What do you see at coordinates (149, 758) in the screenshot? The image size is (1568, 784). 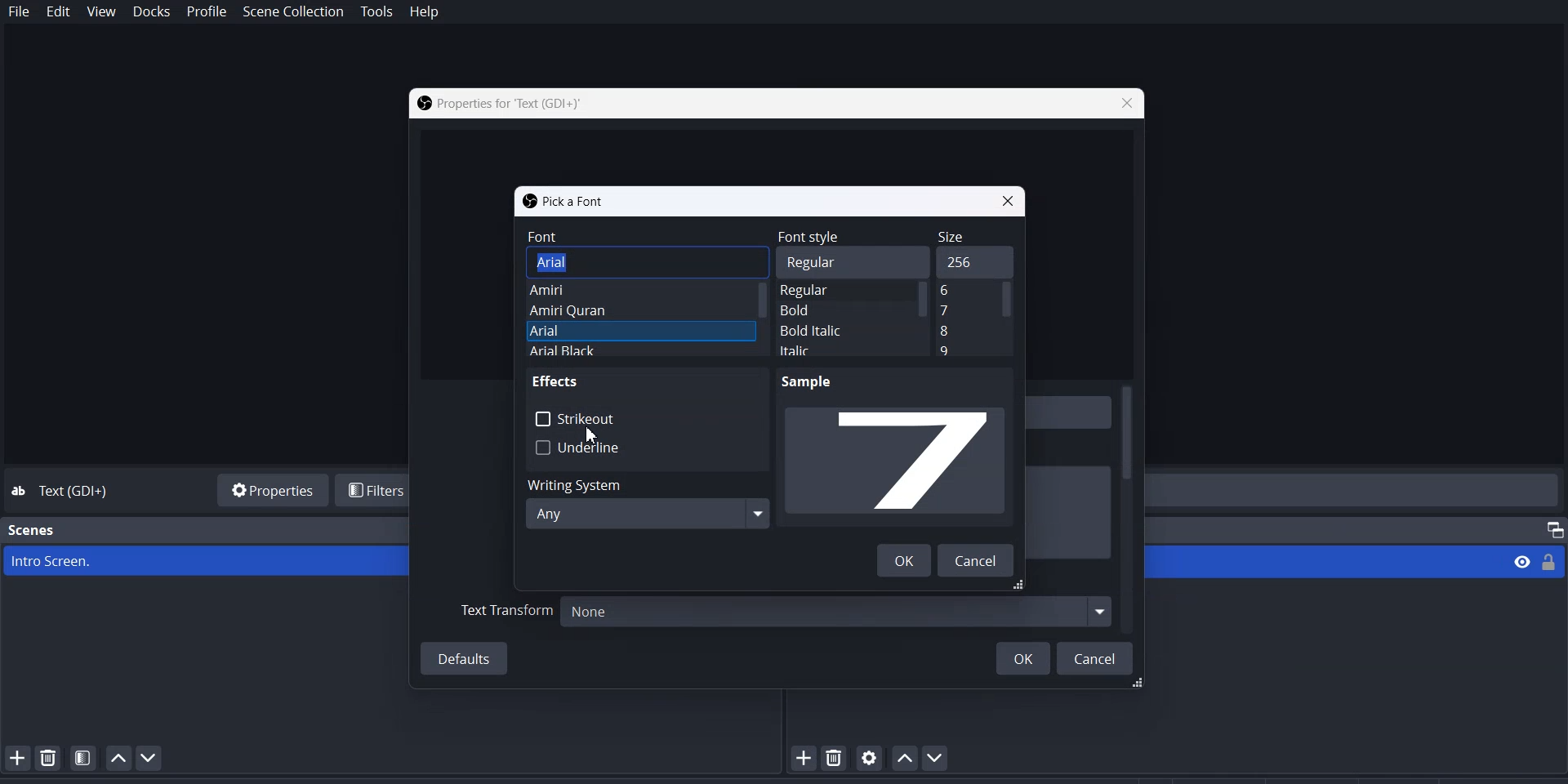 I see `Move scene Down` at bounding box center [149, 758].